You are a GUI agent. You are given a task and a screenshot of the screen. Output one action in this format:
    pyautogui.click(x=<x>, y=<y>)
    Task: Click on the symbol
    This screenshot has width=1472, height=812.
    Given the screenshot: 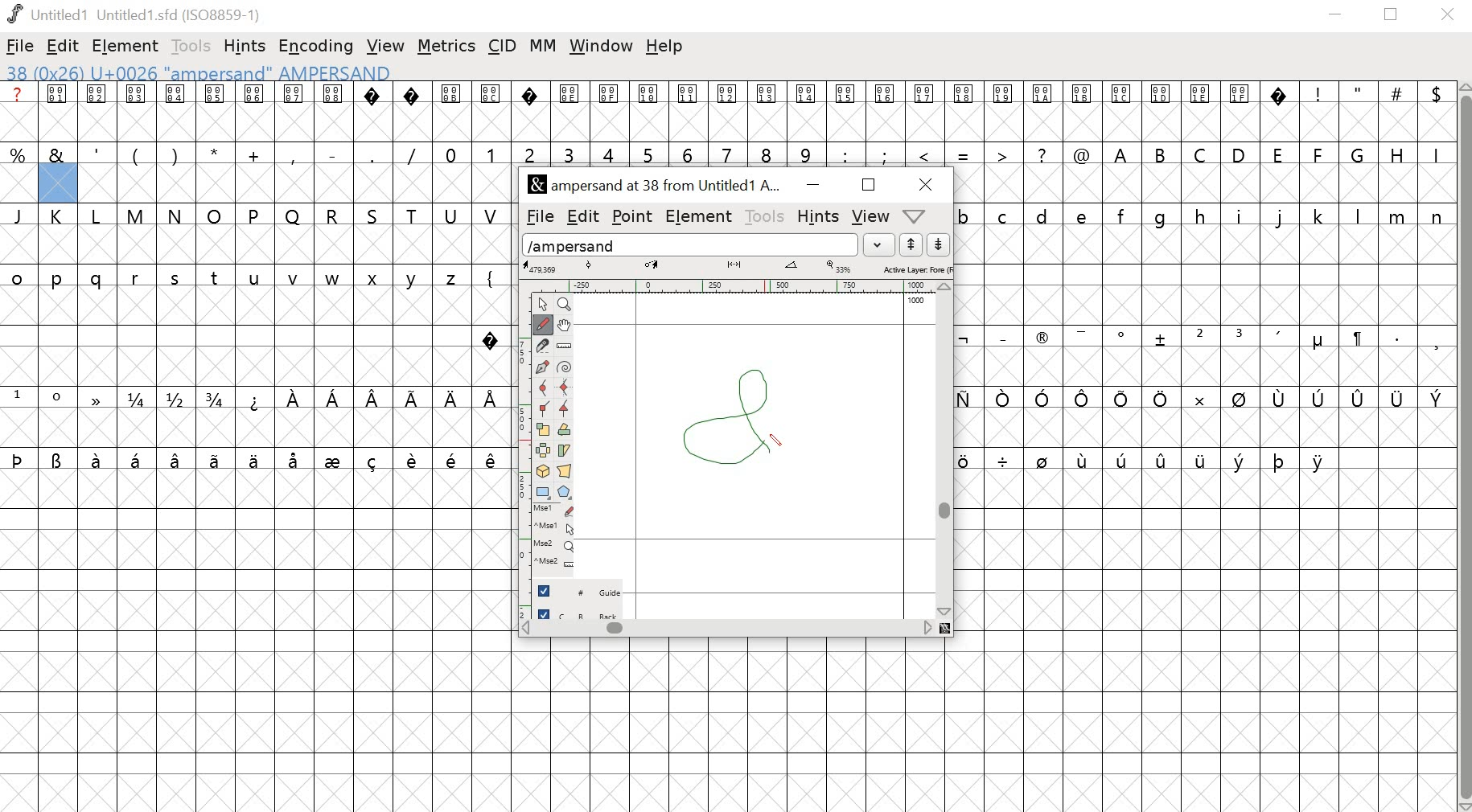 What is the action you would take?
    pyautogui.click(x=1043, y=459)
    